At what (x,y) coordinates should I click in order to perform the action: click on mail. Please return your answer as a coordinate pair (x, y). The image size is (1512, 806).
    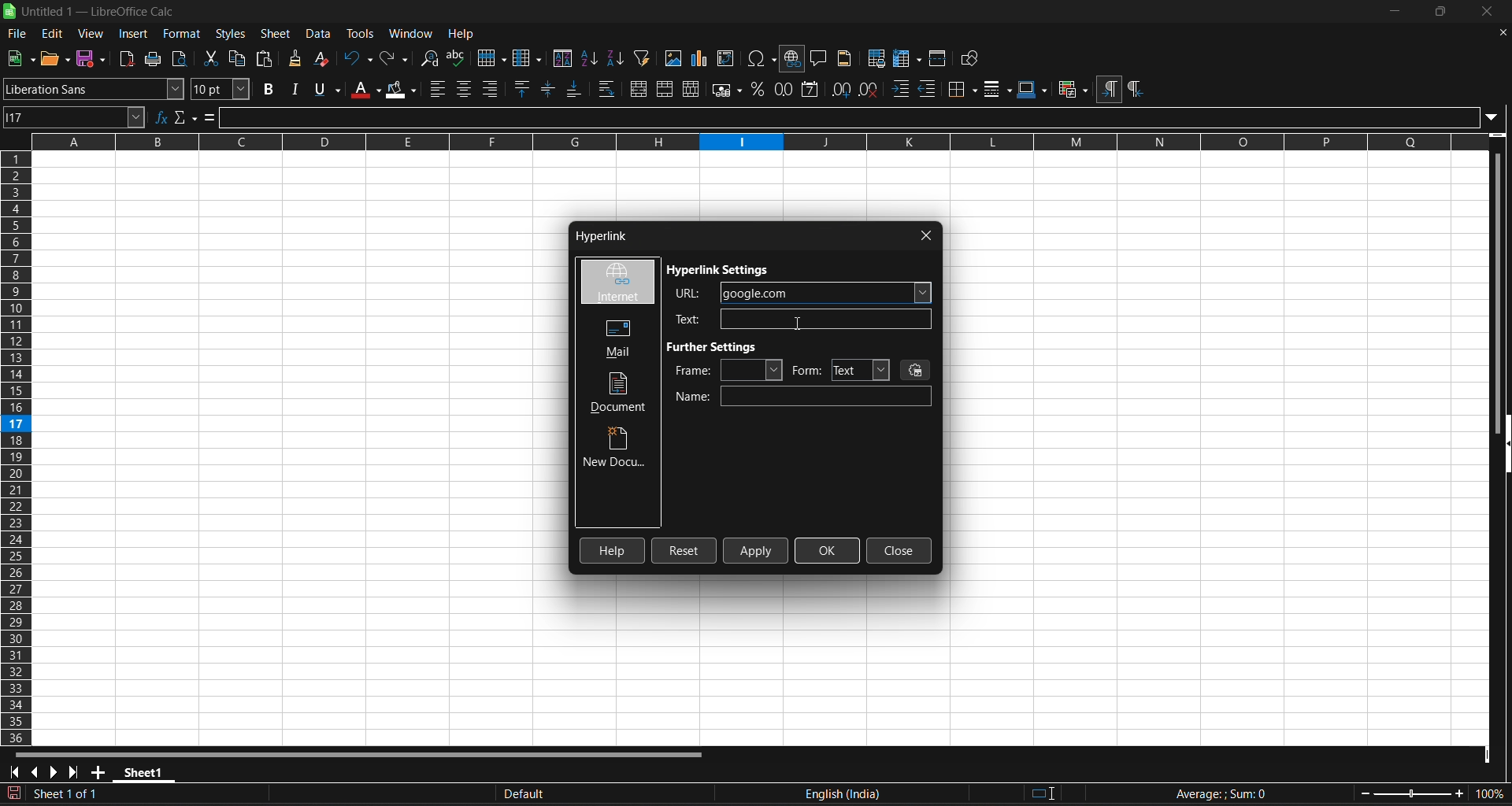
    Looking at the image, I should click on (613, 337).